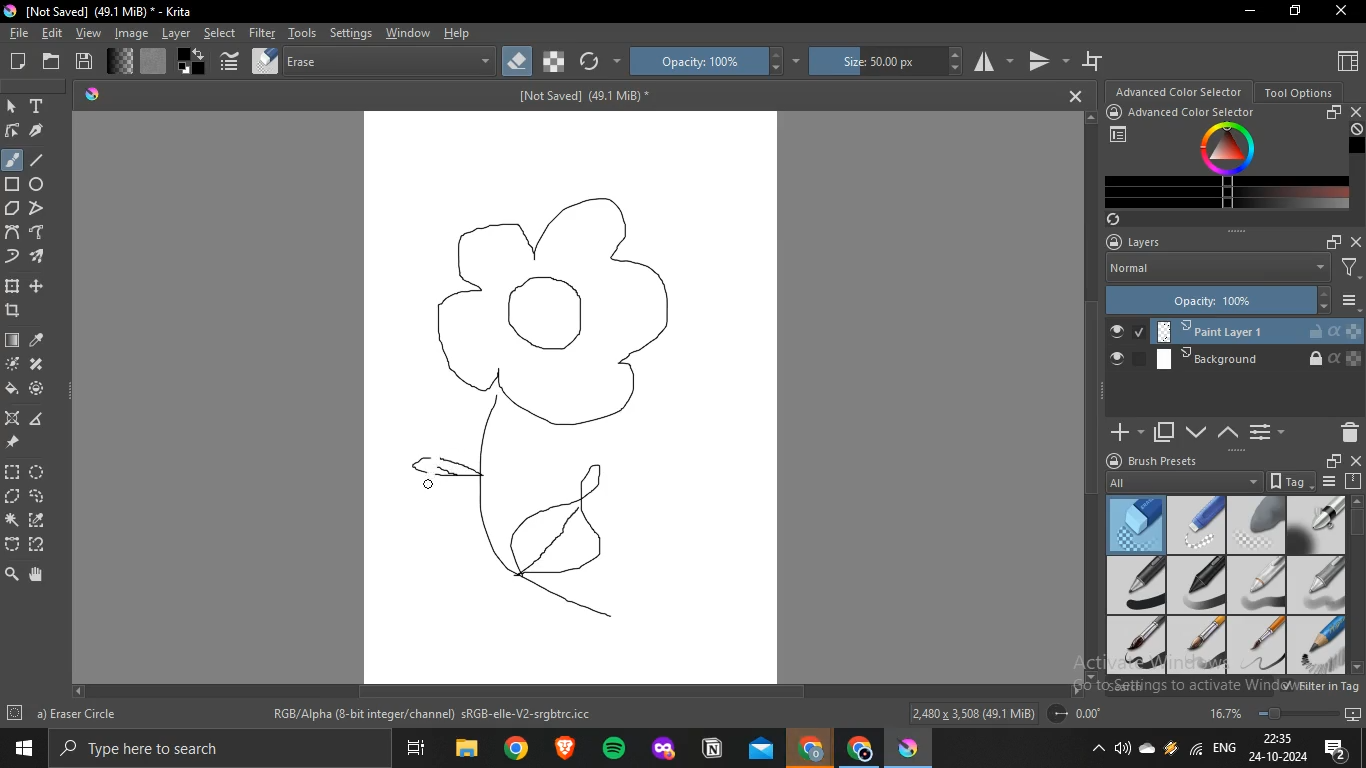  What do you see at coordinates (37, 495) in the screenshot?
I see `freehand selection tool` at bounding box center [37, 495].